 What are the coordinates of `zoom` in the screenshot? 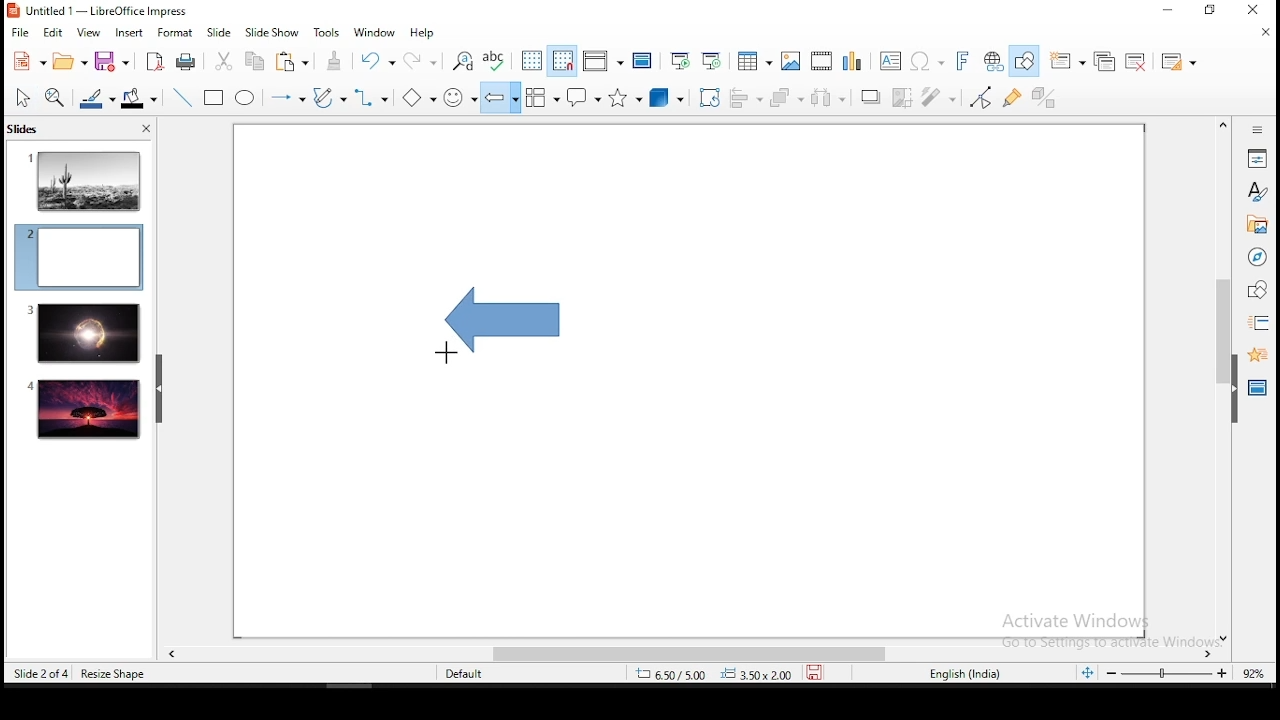 It's located at (1166, 673).